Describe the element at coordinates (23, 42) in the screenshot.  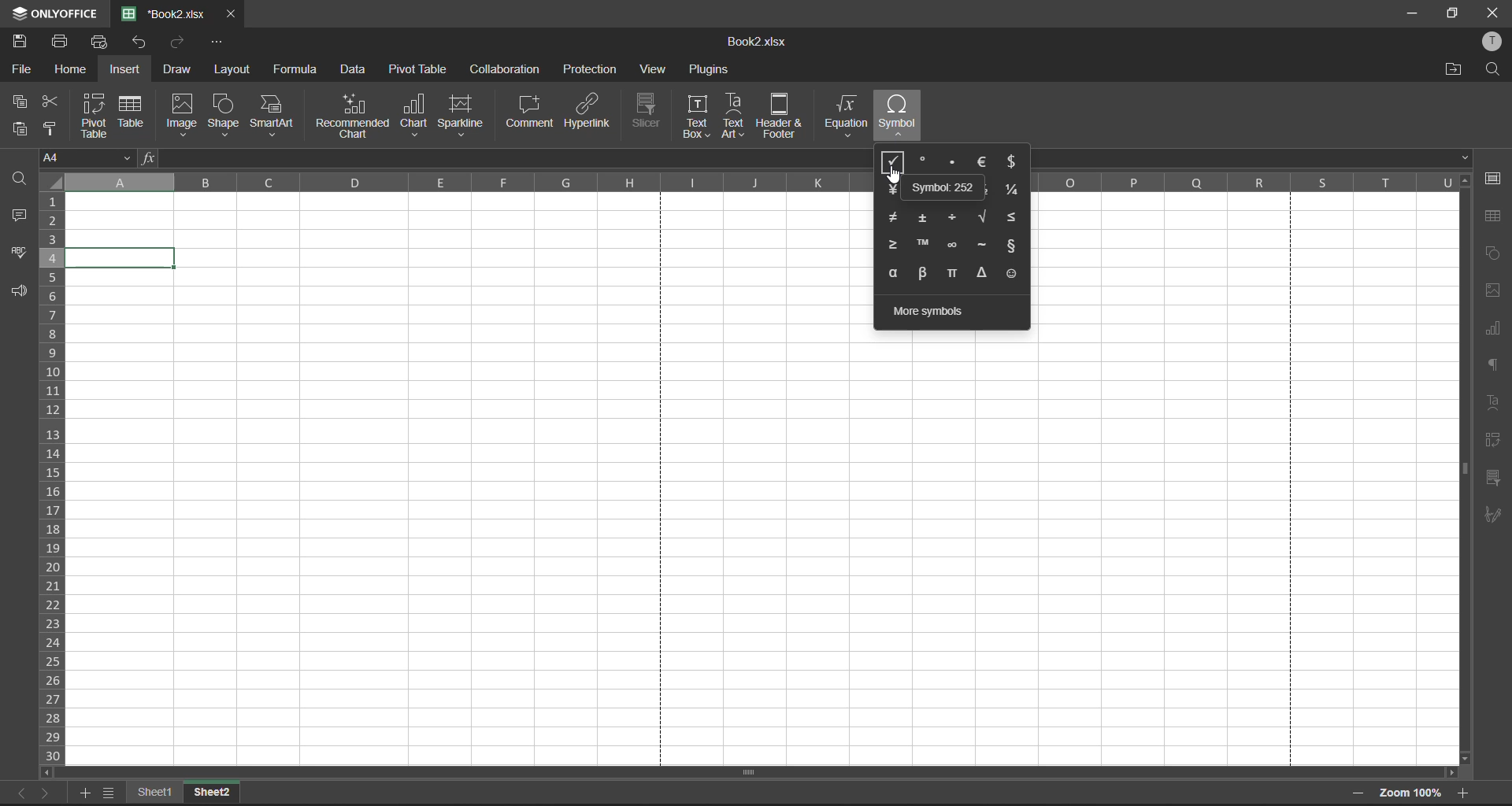
I see `save` at that location.